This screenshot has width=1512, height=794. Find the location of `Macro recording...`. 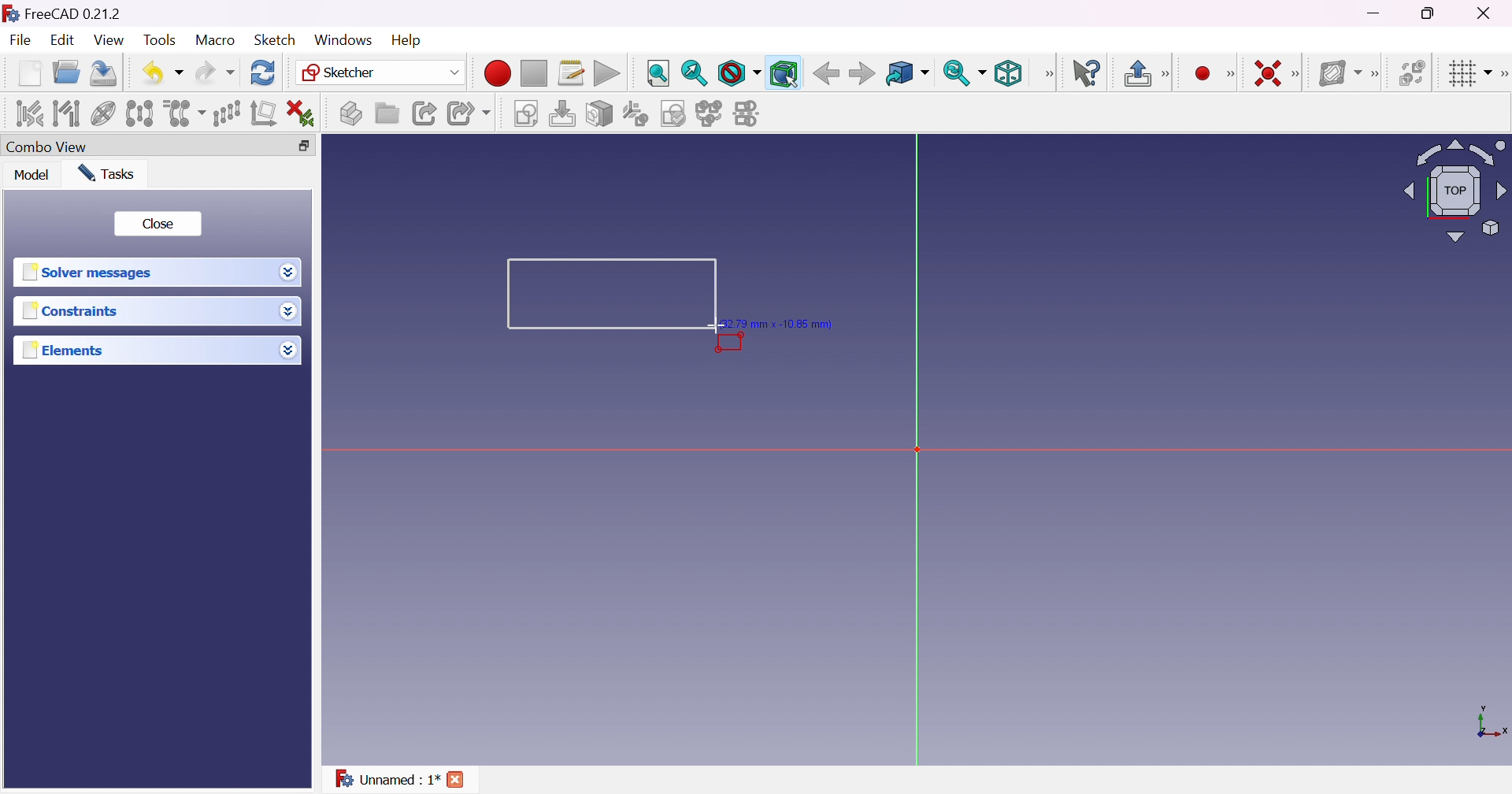

Macro recording... is located at coordinates (498, 72).